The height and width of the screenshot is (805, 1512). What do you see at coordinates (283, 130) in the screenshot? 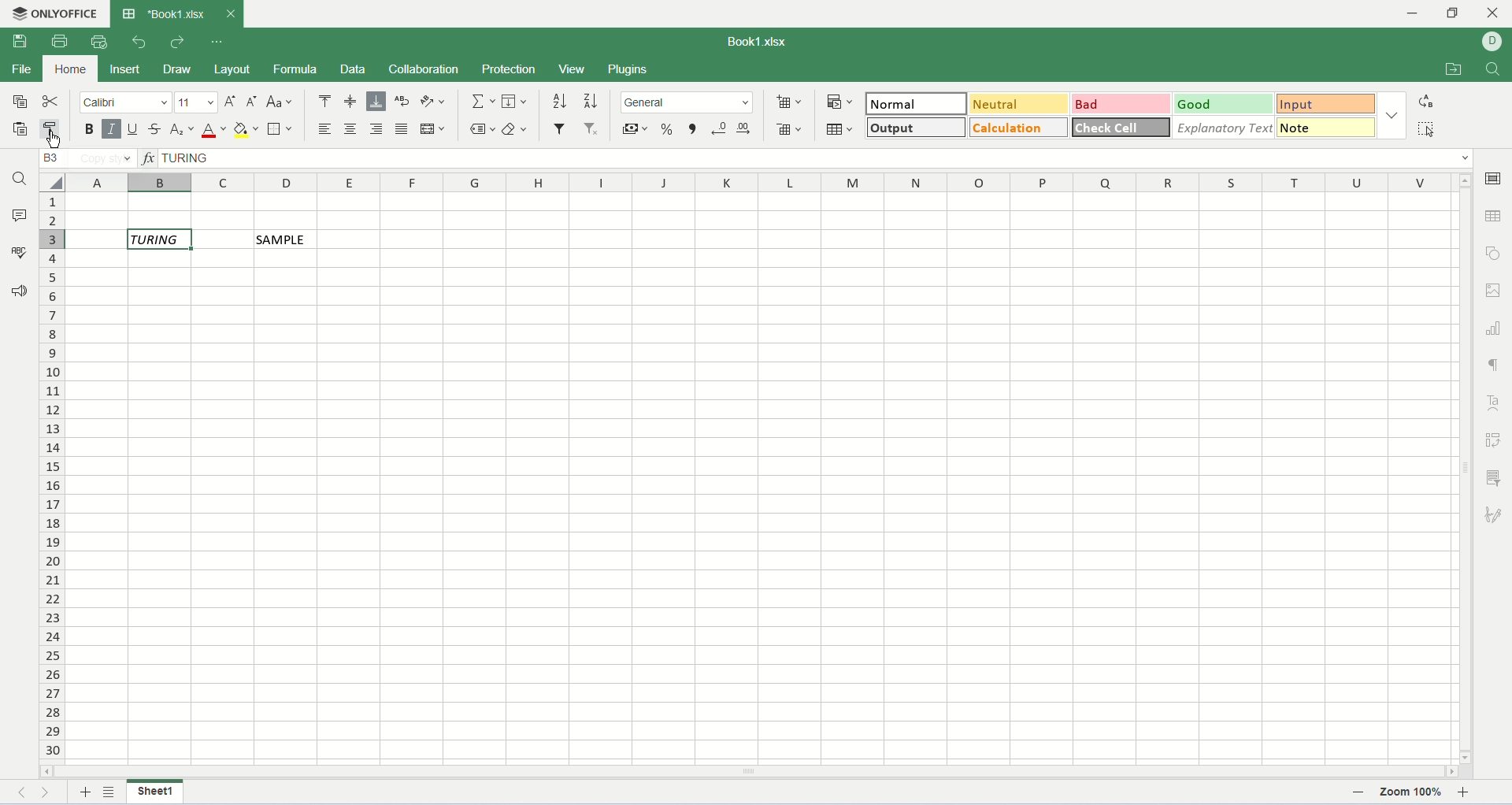
I see `border` at bounding box center [283, 130].